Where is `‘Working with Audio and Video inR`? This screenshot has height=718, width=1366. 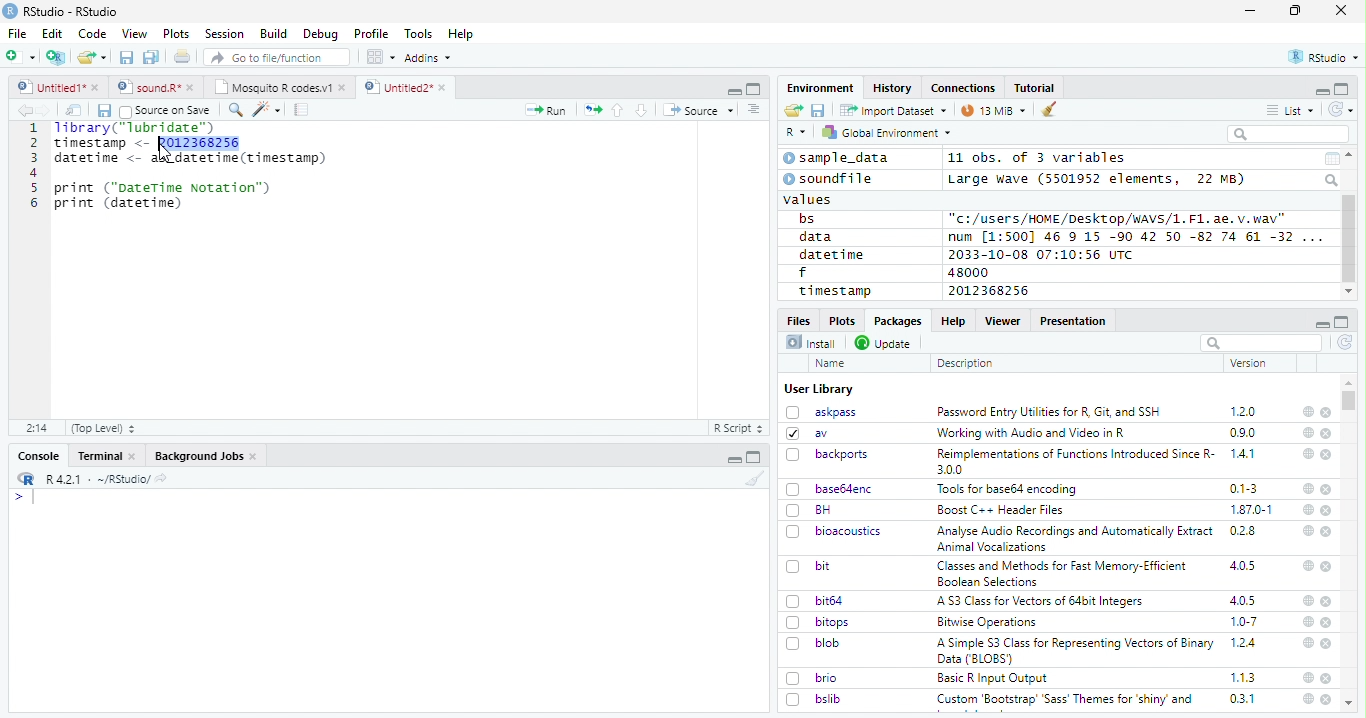
‘Working with Audio and Video inR is located at coordinates (1033, 433).